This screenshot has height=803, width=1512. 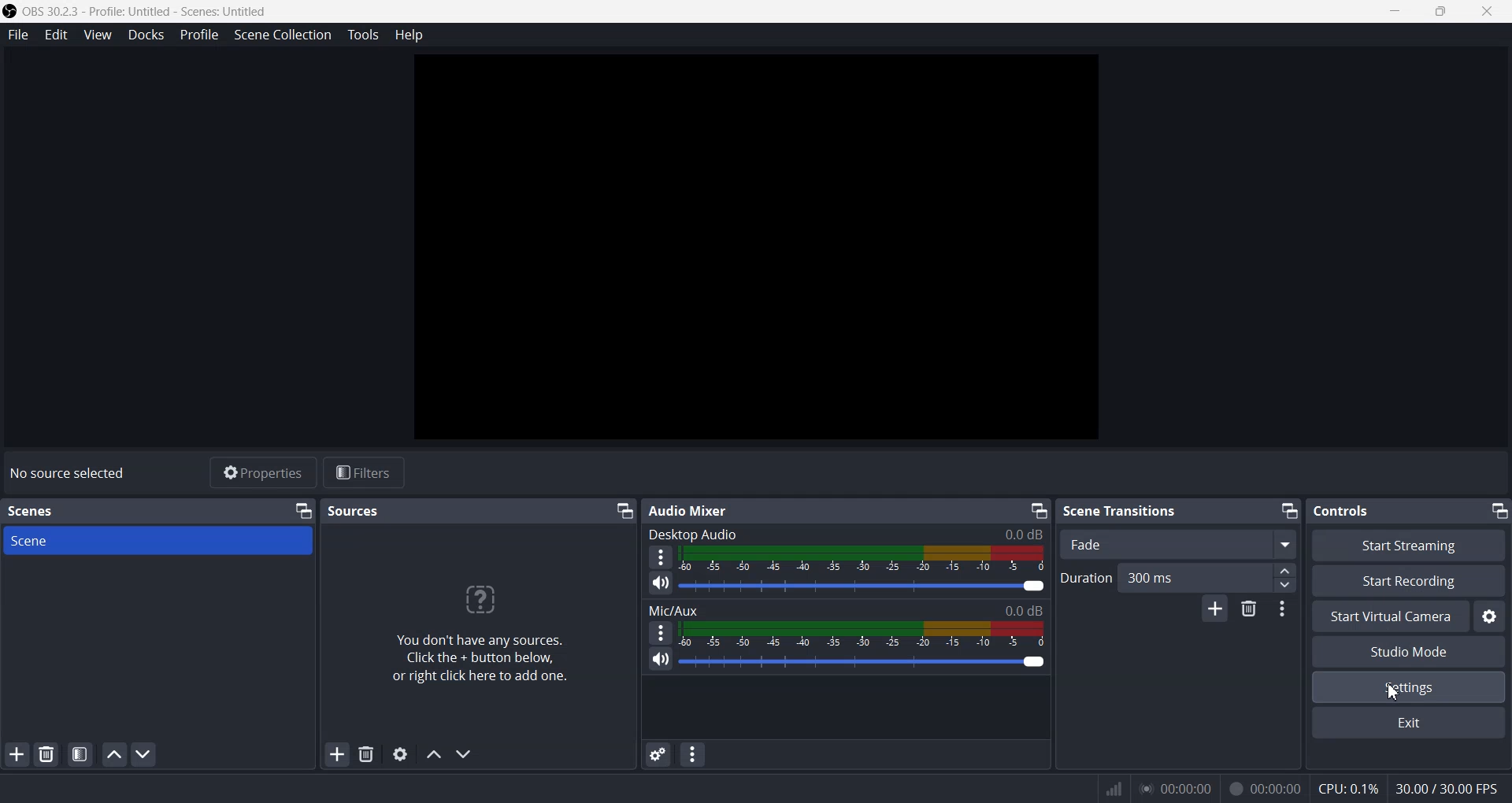 What do you see at coordinates (1394, 690) in the screenshot?
I see `Cursor` at bounding box center [1394, 690].